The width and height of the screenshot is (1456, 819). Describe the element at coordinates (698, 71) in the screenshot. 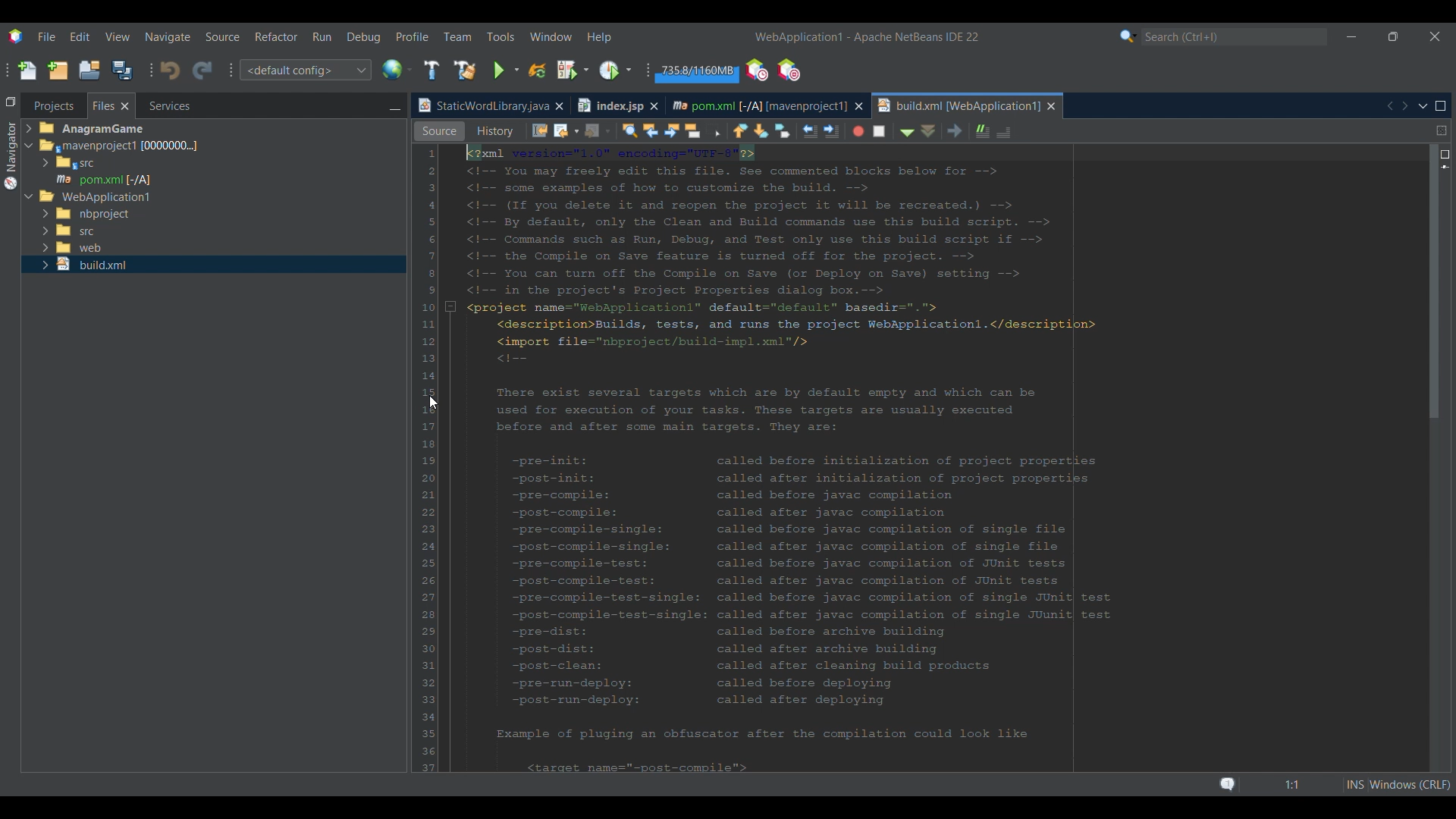

I see `Garbage collection changed` at that location.